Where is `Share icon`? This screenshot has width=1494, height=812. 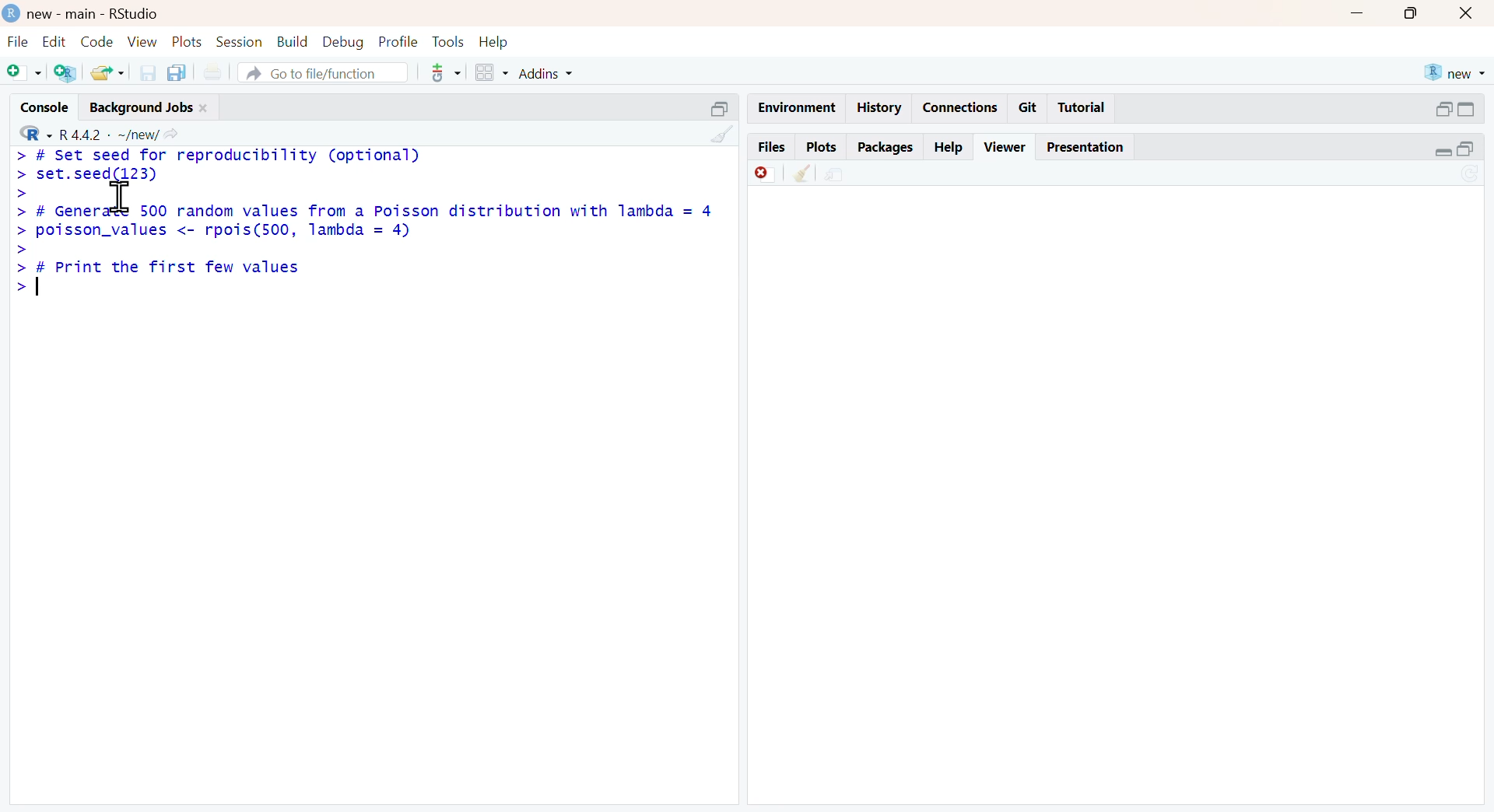
Share icon is located at coordinates (173, 134).